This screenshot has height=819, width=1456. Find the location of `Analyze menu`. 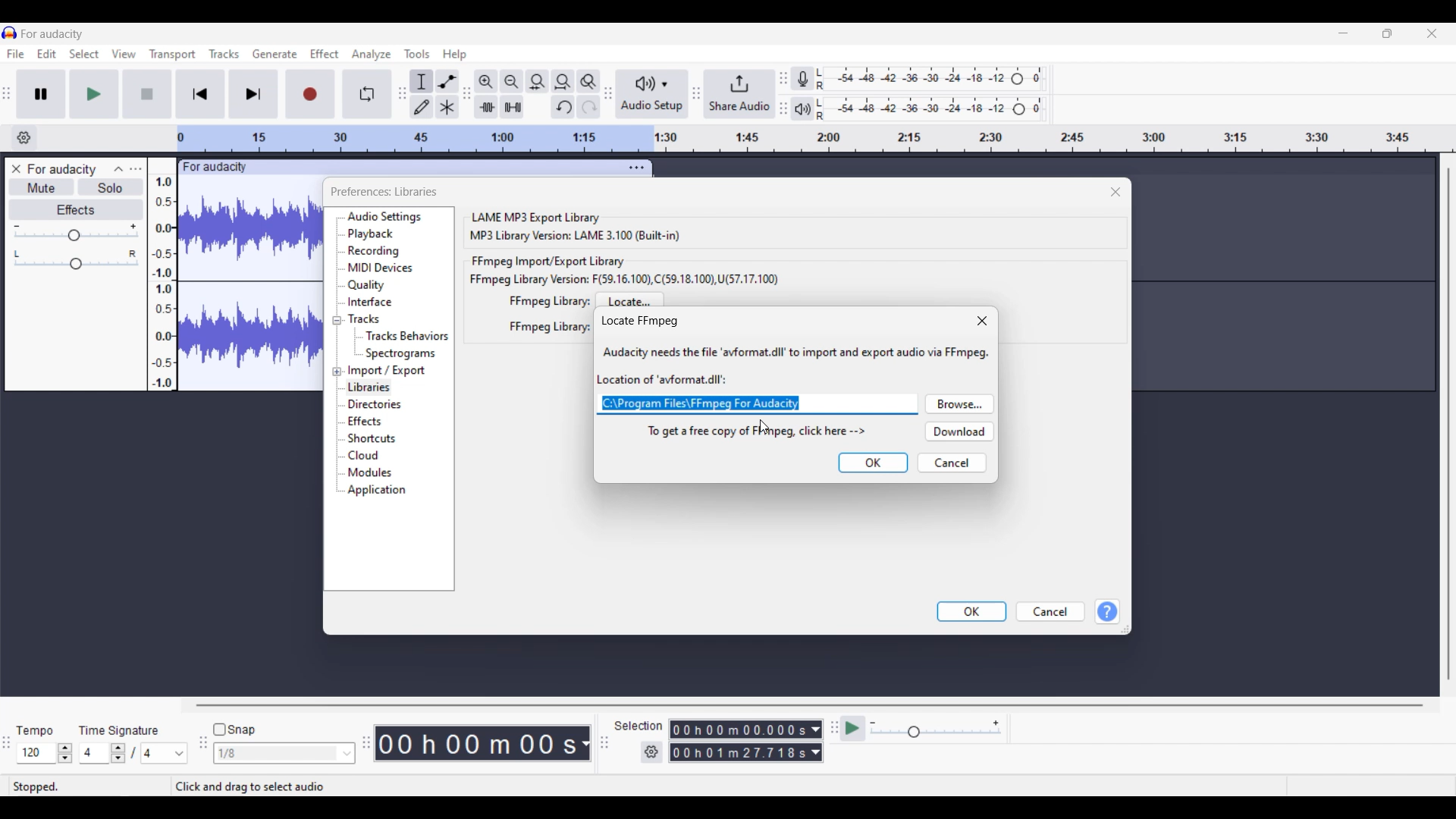

Analyze menu is located at coordinates (372, 55).